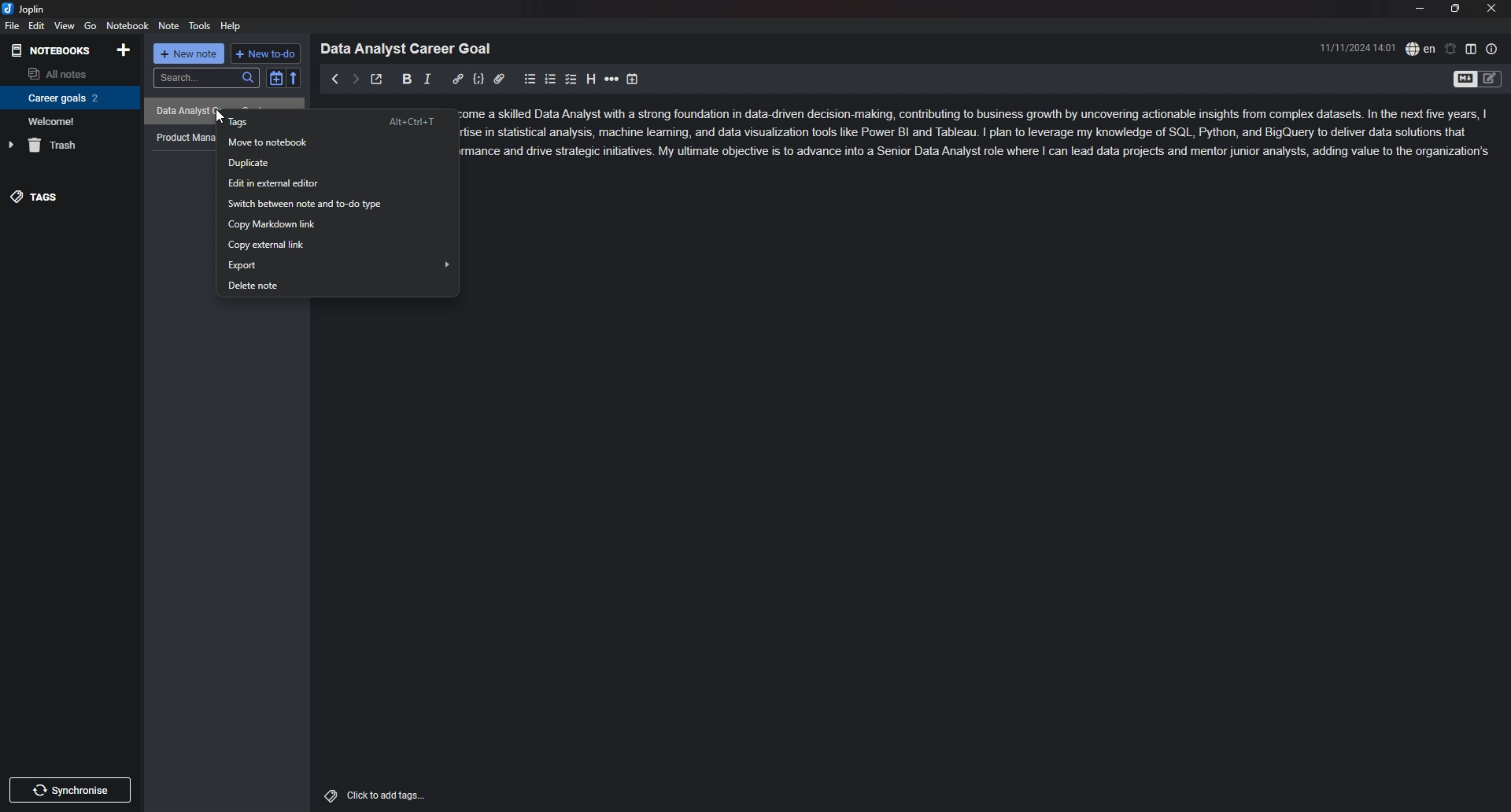 This screenshot has height=812, width=1511. Describe the element at coordinates (457, 79) in the screenshot. I see `hyperlink` at that location.